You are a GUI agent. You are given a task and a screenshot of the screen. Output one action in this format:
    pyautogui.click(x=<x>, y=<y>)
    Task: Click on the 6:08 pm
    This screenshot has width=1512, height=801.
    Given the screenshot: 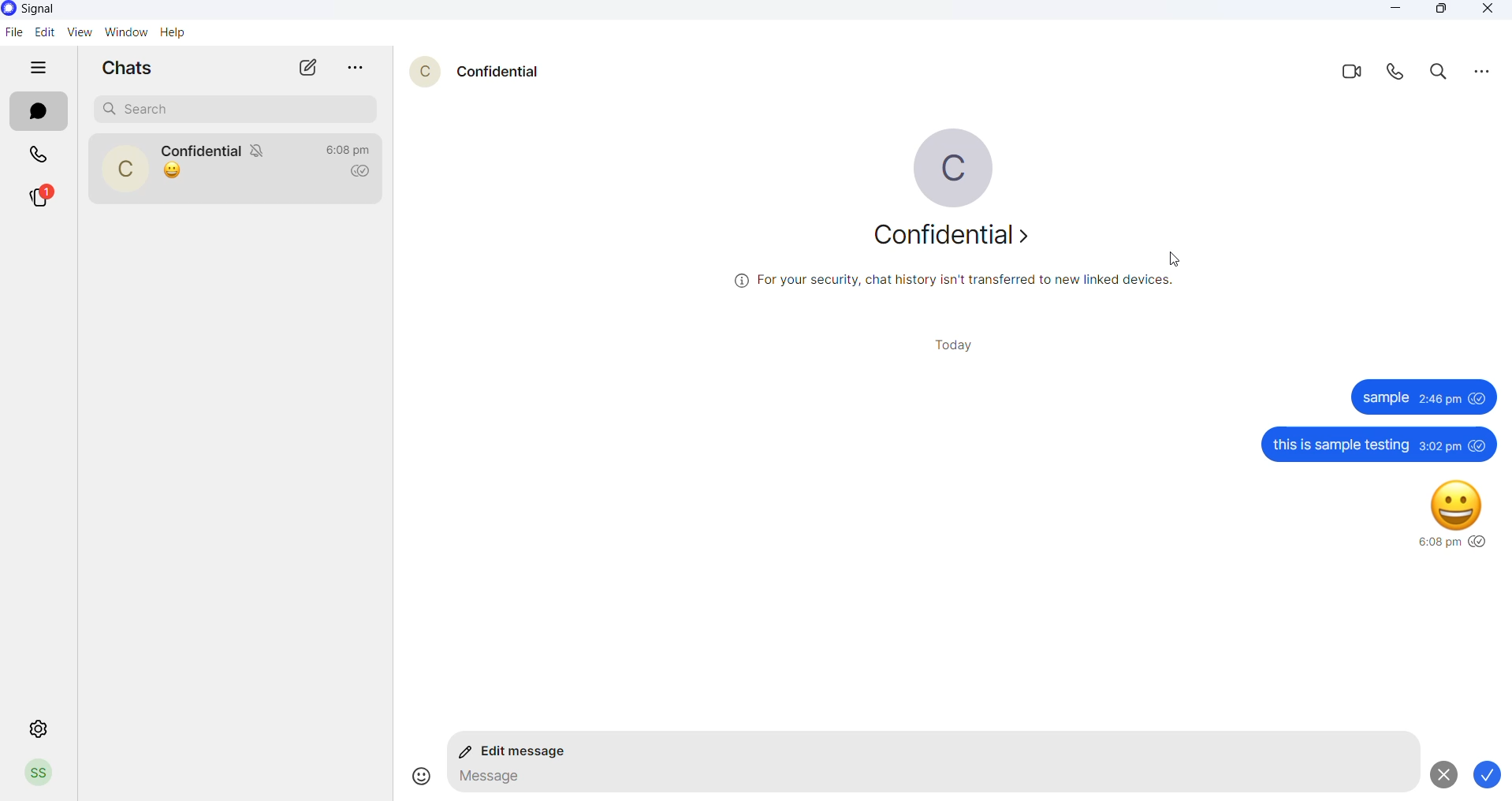 What is the action you would take?
    pyautogui.click(x=1437, y=543)
    